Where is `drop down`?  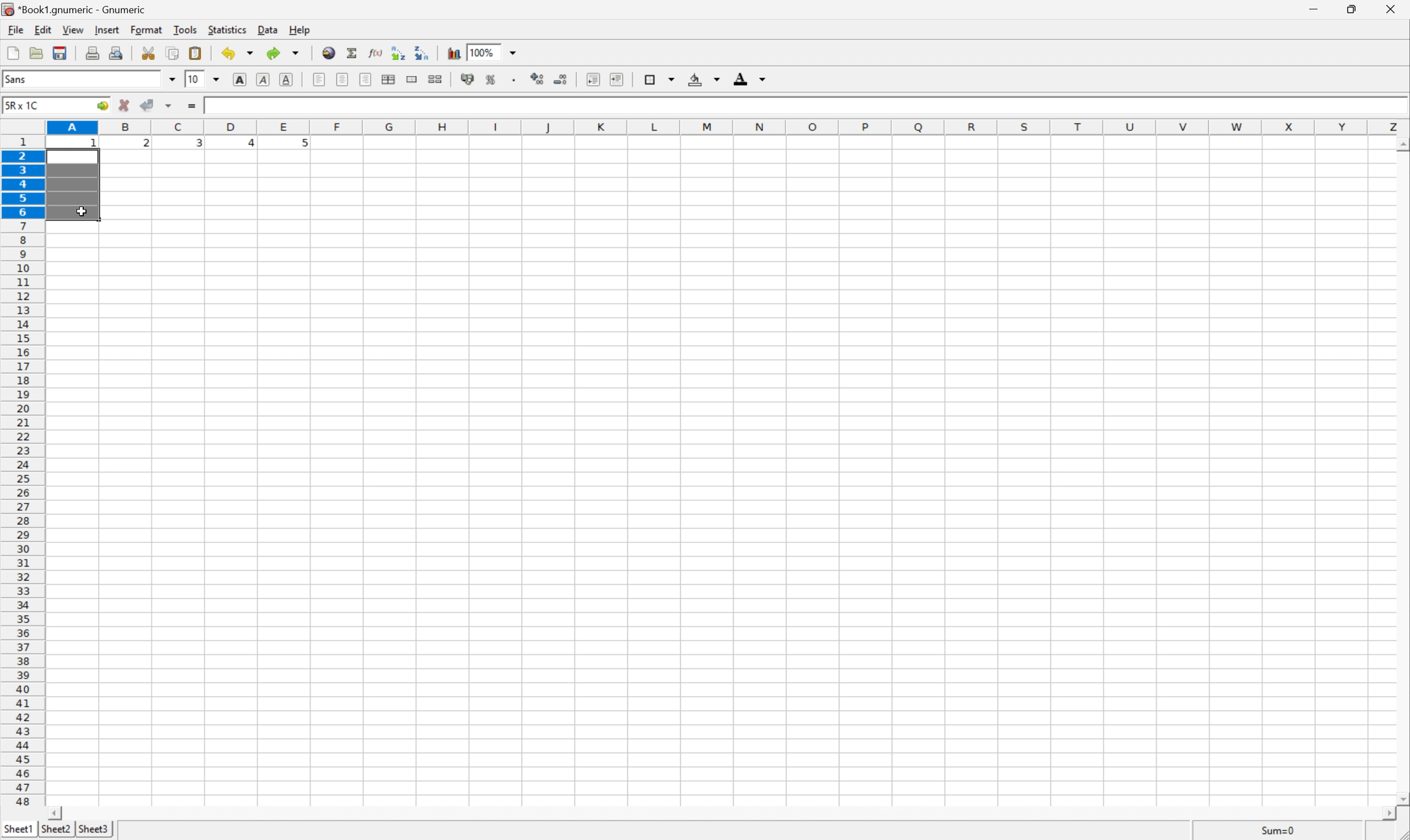 drop down is located at coordinates (514, 53).